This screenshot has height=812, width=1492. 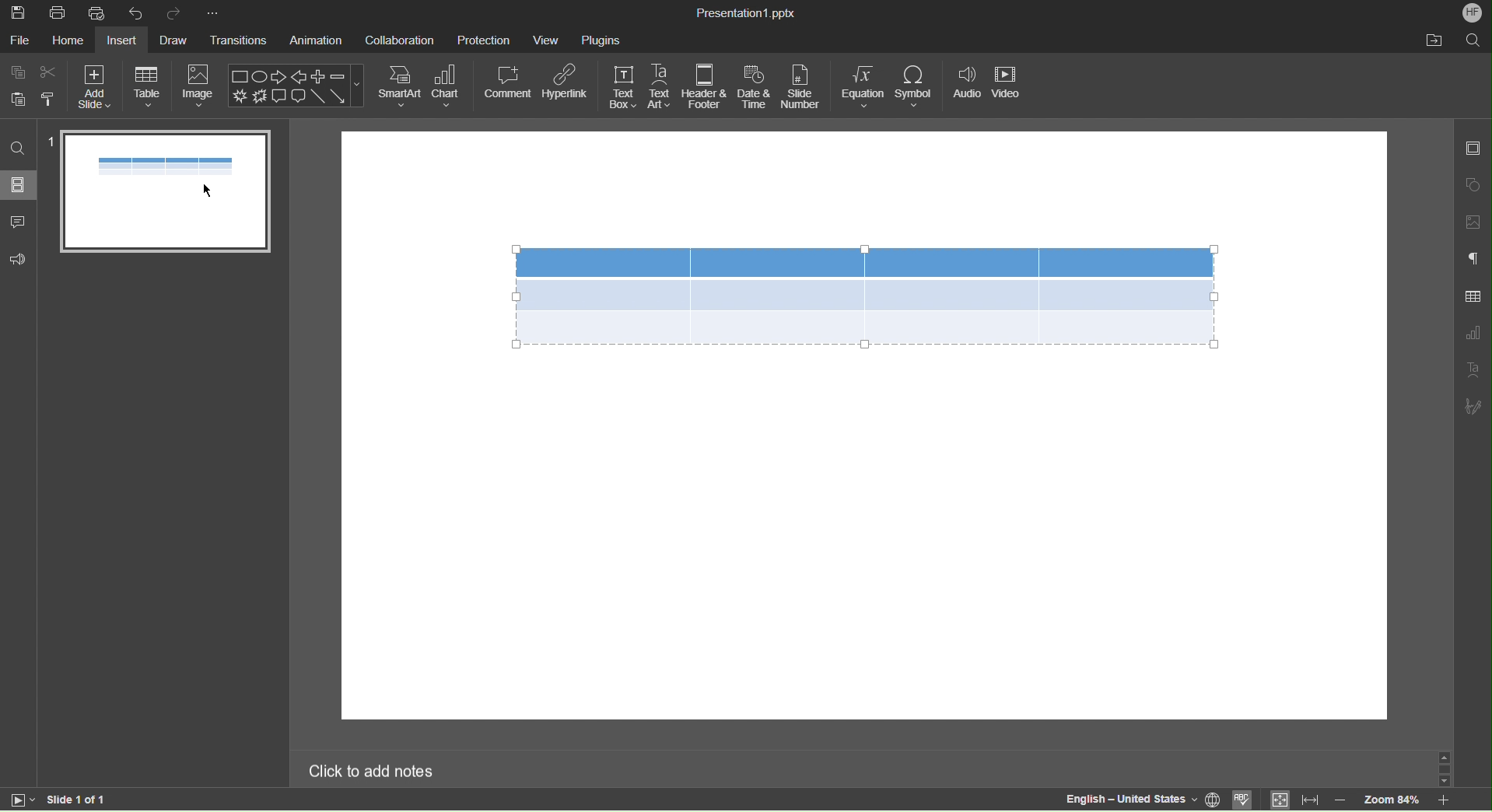 What do you see at coordinates (865, 295) in the screenshot?
I see `Table` at bounding box center [865, 295].